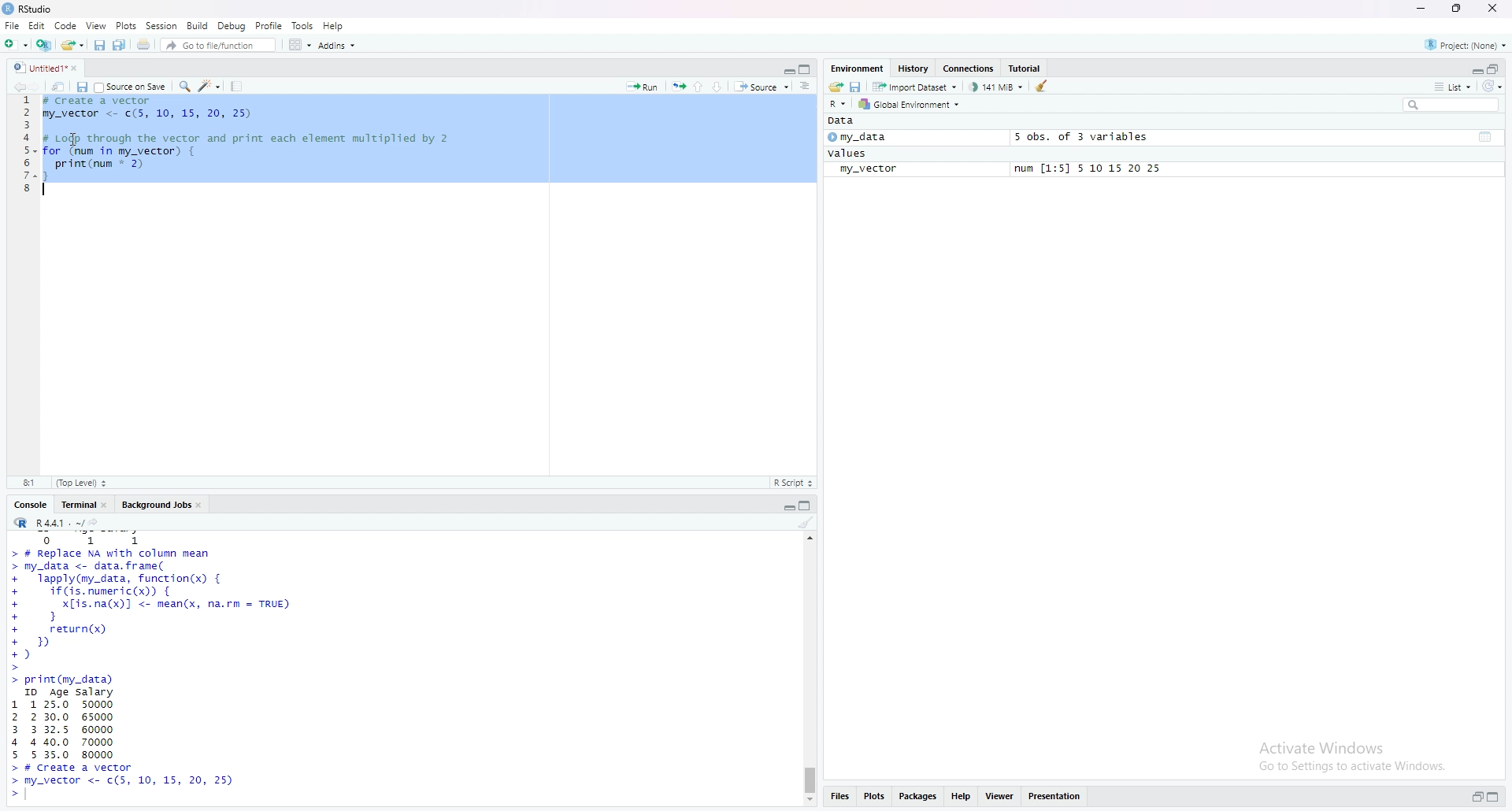 The height and width of the screenshot is (811, 1512). Describe the element at coordinates (132, 86) in the screenshot. I see `source on save` at that location.